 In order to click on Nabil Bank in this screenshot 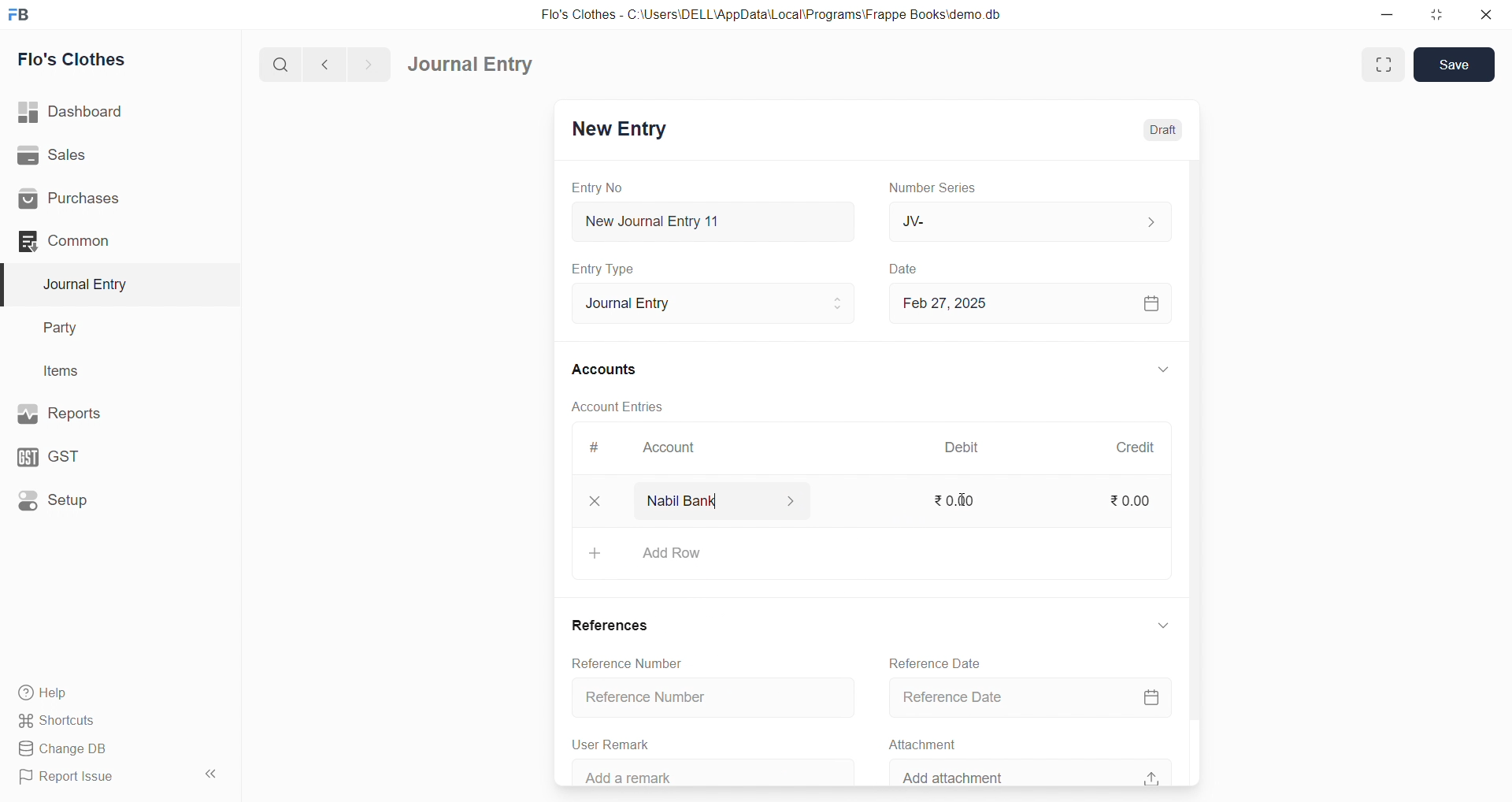, I will do `click(721, 503)`.